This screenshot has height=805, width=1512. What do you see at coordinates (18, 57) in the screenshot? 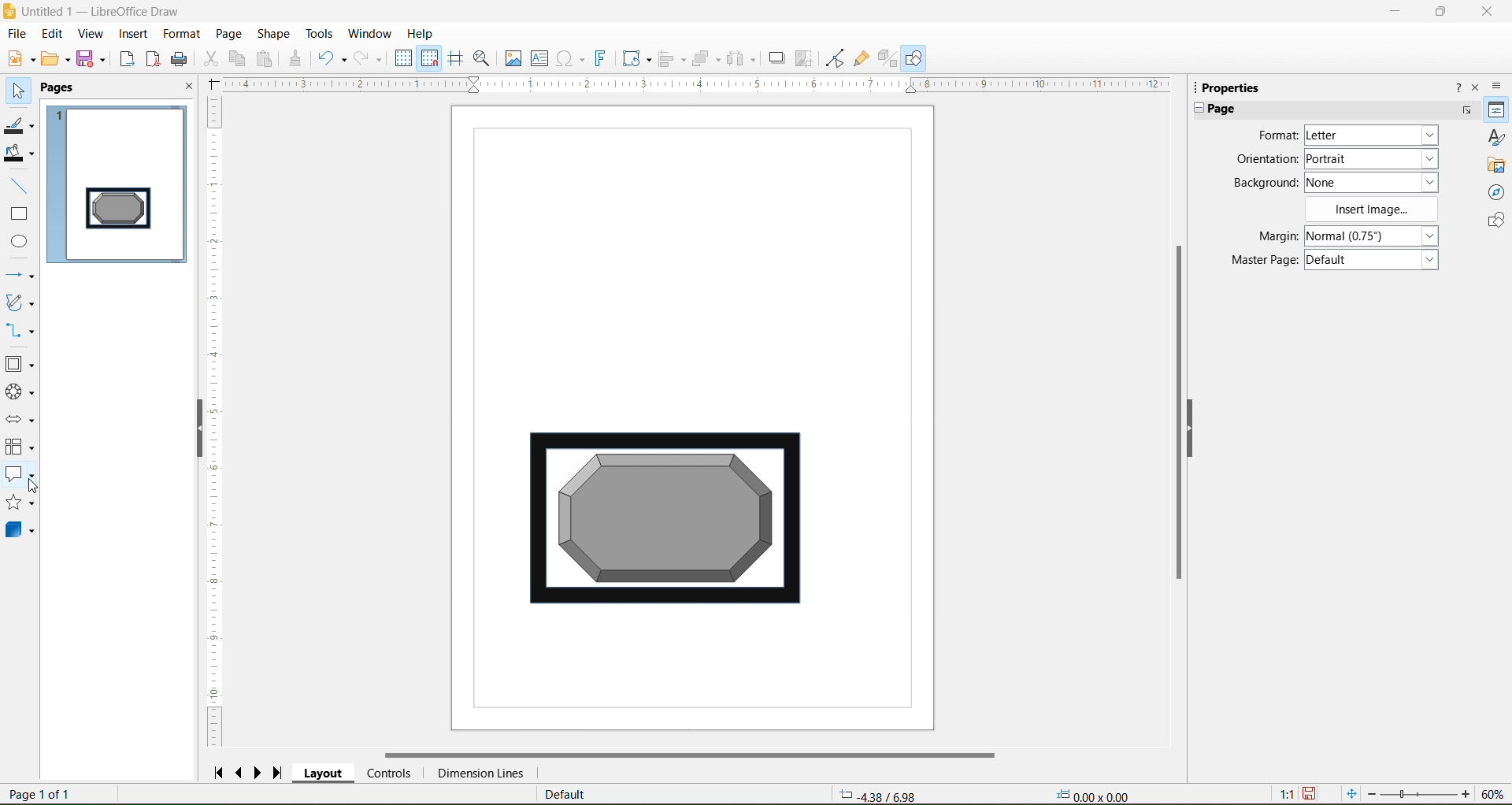
I see `New` at bounding box center [18, 57].